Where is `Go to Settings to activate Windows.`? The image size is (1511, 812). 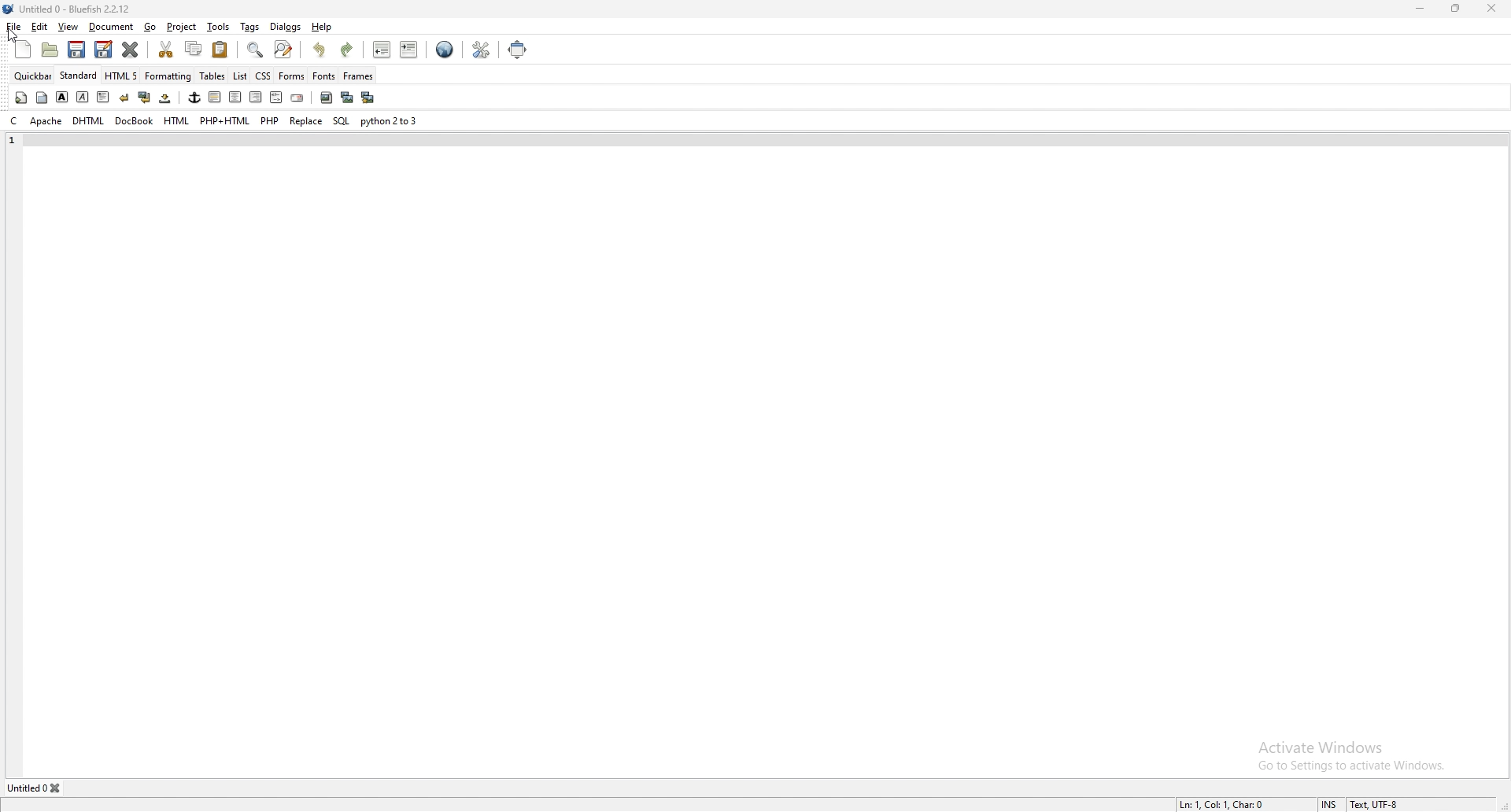
Go to Settings to activate Windows. is located at coordinates (1355, 767).